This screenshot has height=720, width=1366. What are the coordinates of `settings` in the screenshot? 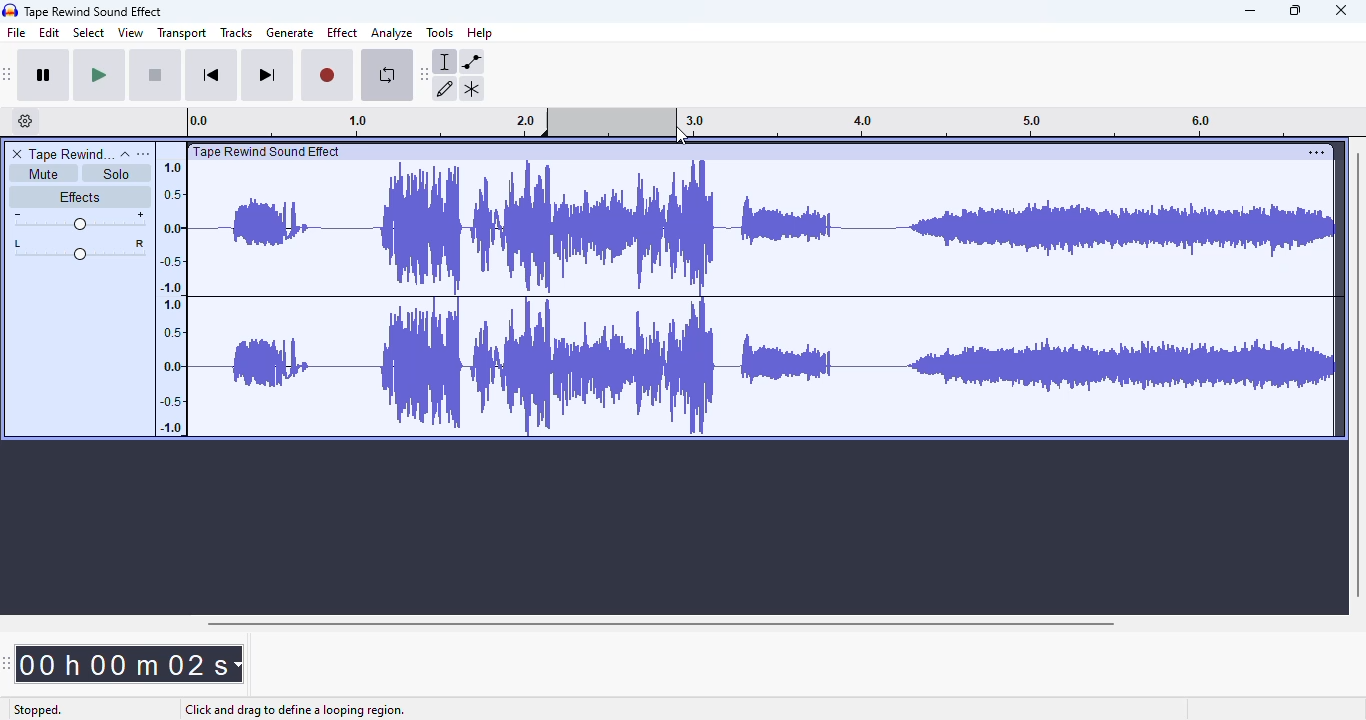 It's located at (1316, 152).